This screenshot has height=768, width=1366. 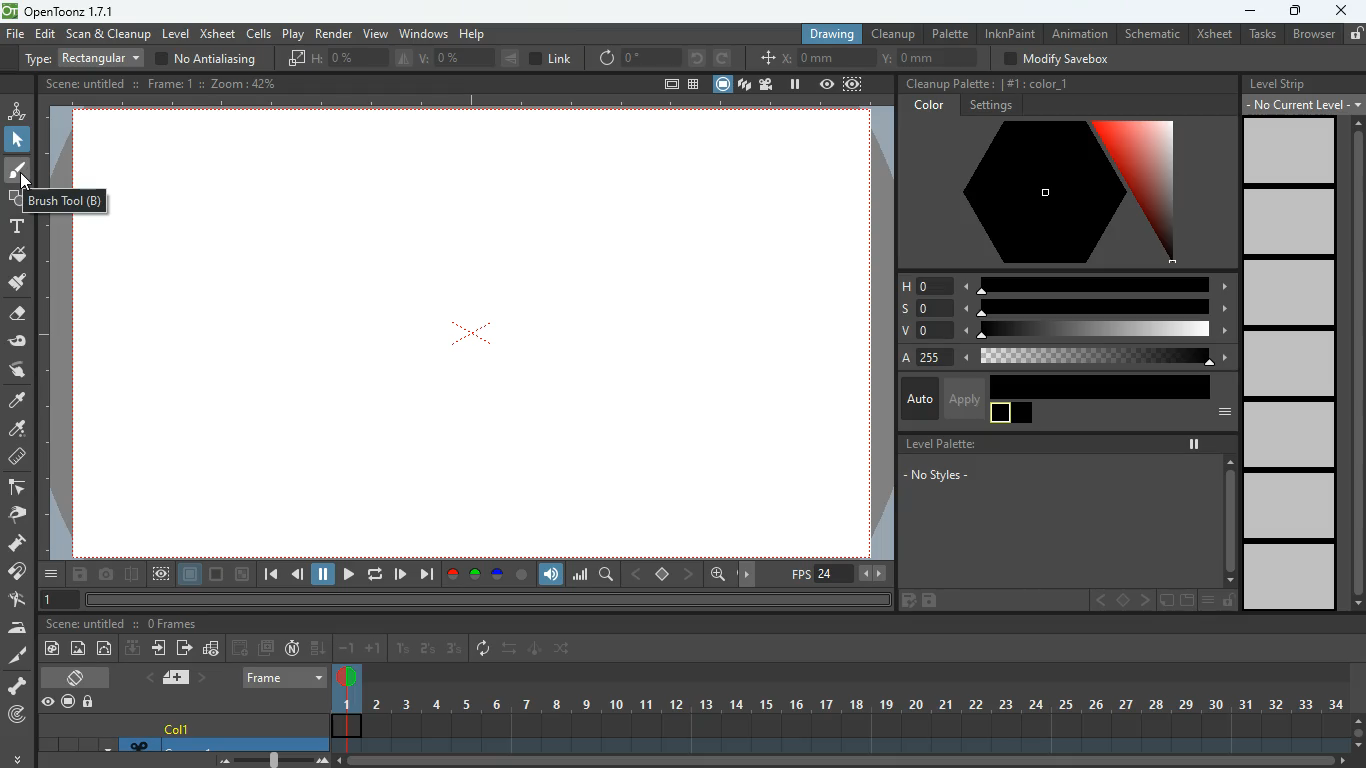 What do you see at coordinates (1288, 222) in the screenshot?
I see `level` at bounding box center [1288, 222].